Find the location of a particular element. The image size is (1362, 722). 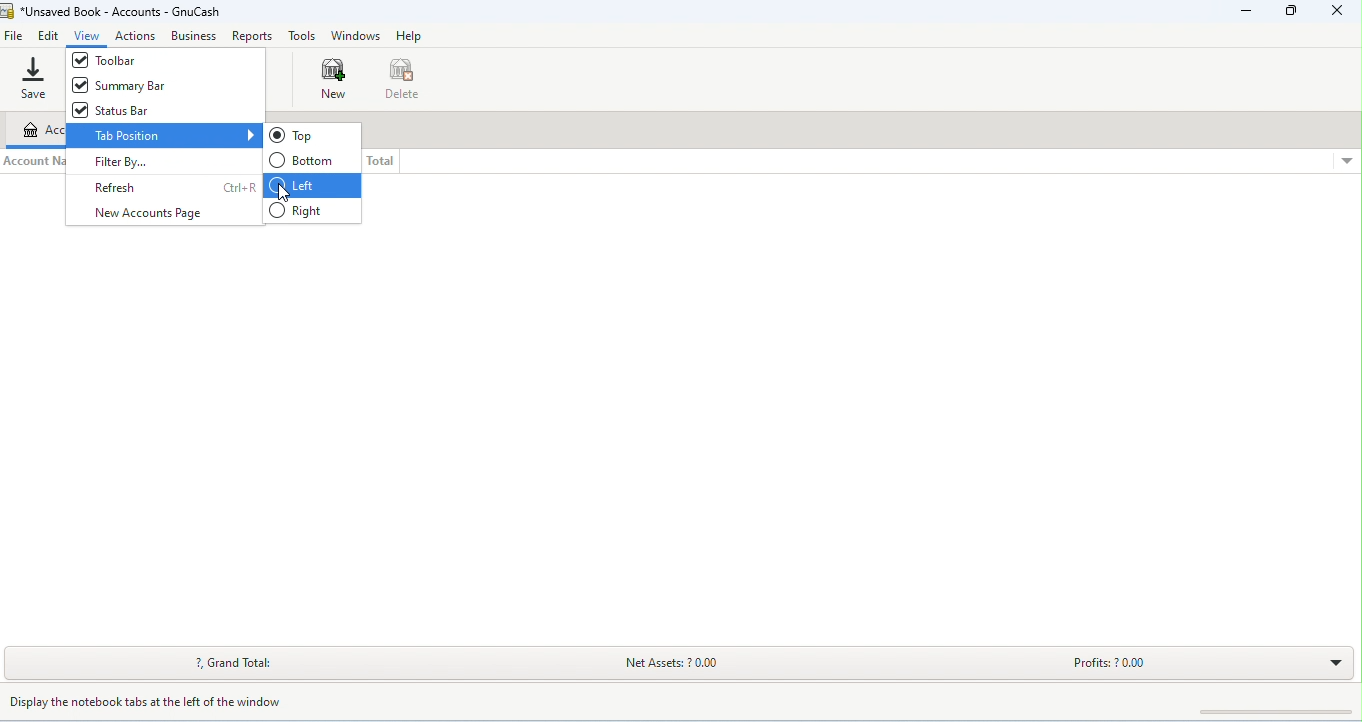

reports is located at coordinates (253, 35).